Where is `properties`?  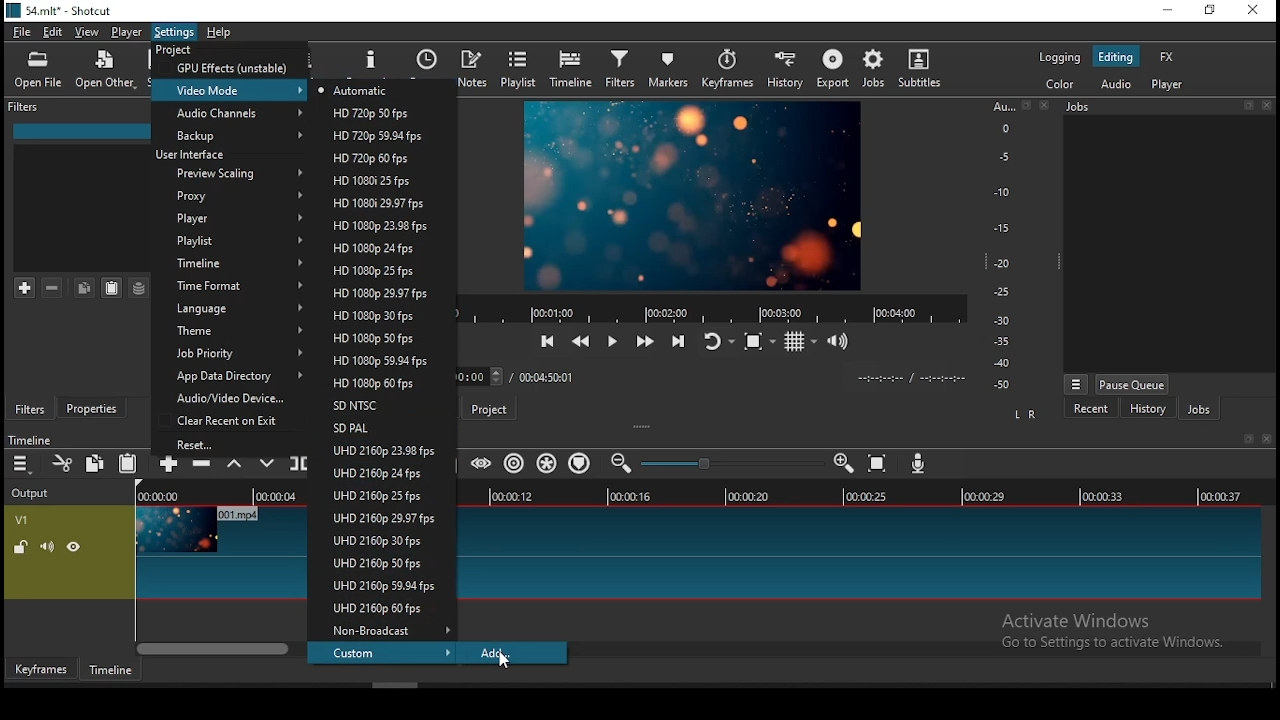
properties is located at coordinates (96, 409).